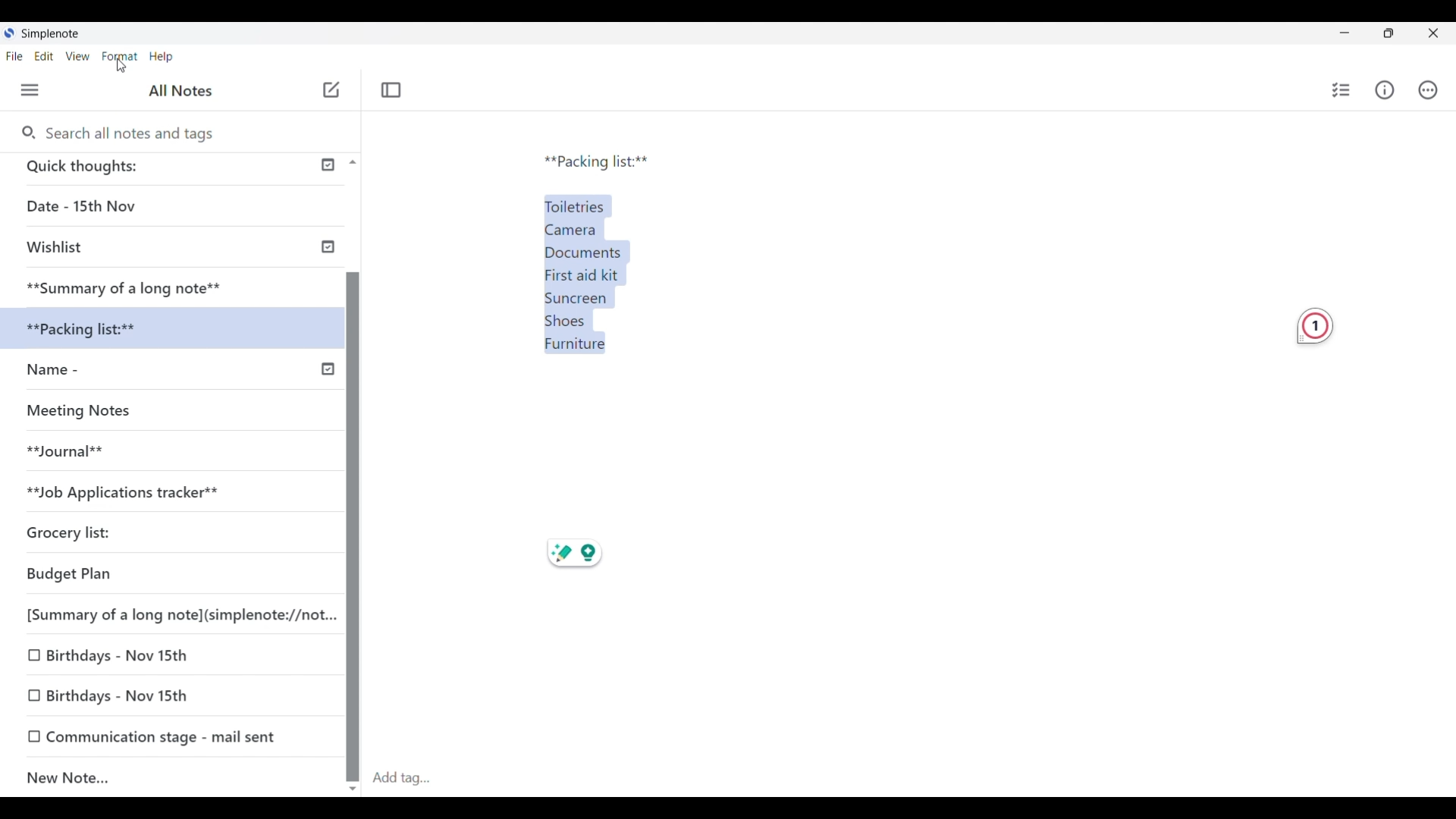  Describe the element at coordinates (400, 779) in the screenshot. I see `Click to type in tag` at that location.